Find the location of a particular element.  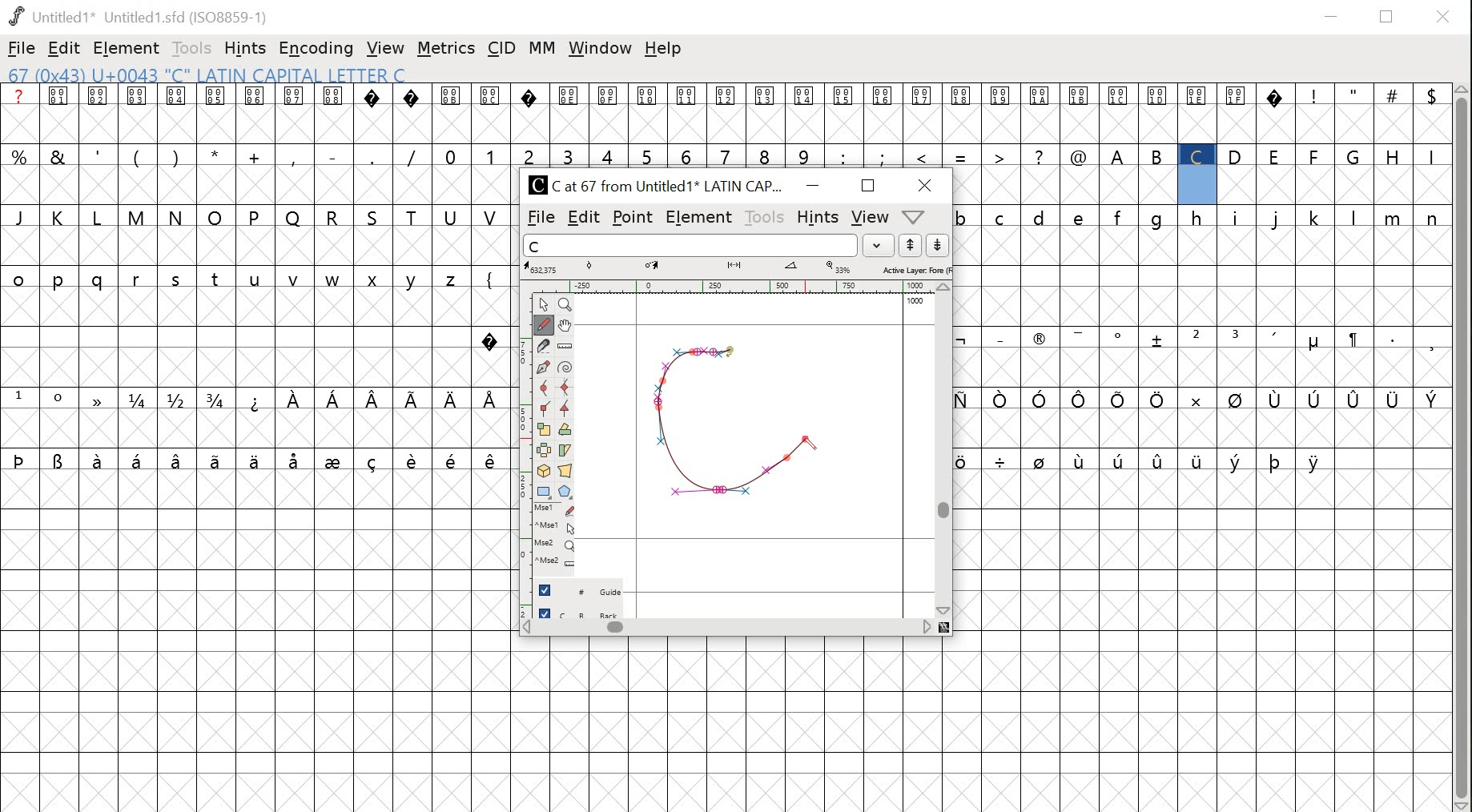

pan is located at coordinates (566, 326).